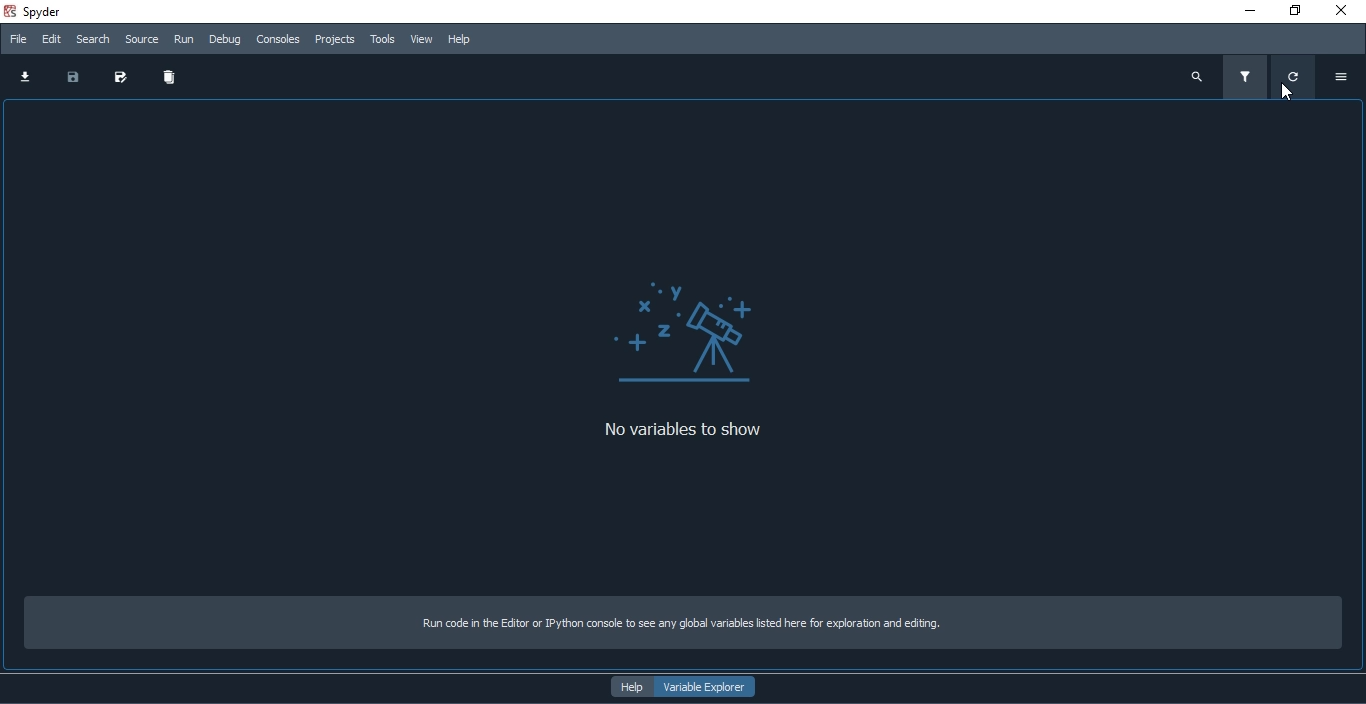 The height and width of the screenshot is (704, 1366). I want to click on variable explorer, so click(702, 686).